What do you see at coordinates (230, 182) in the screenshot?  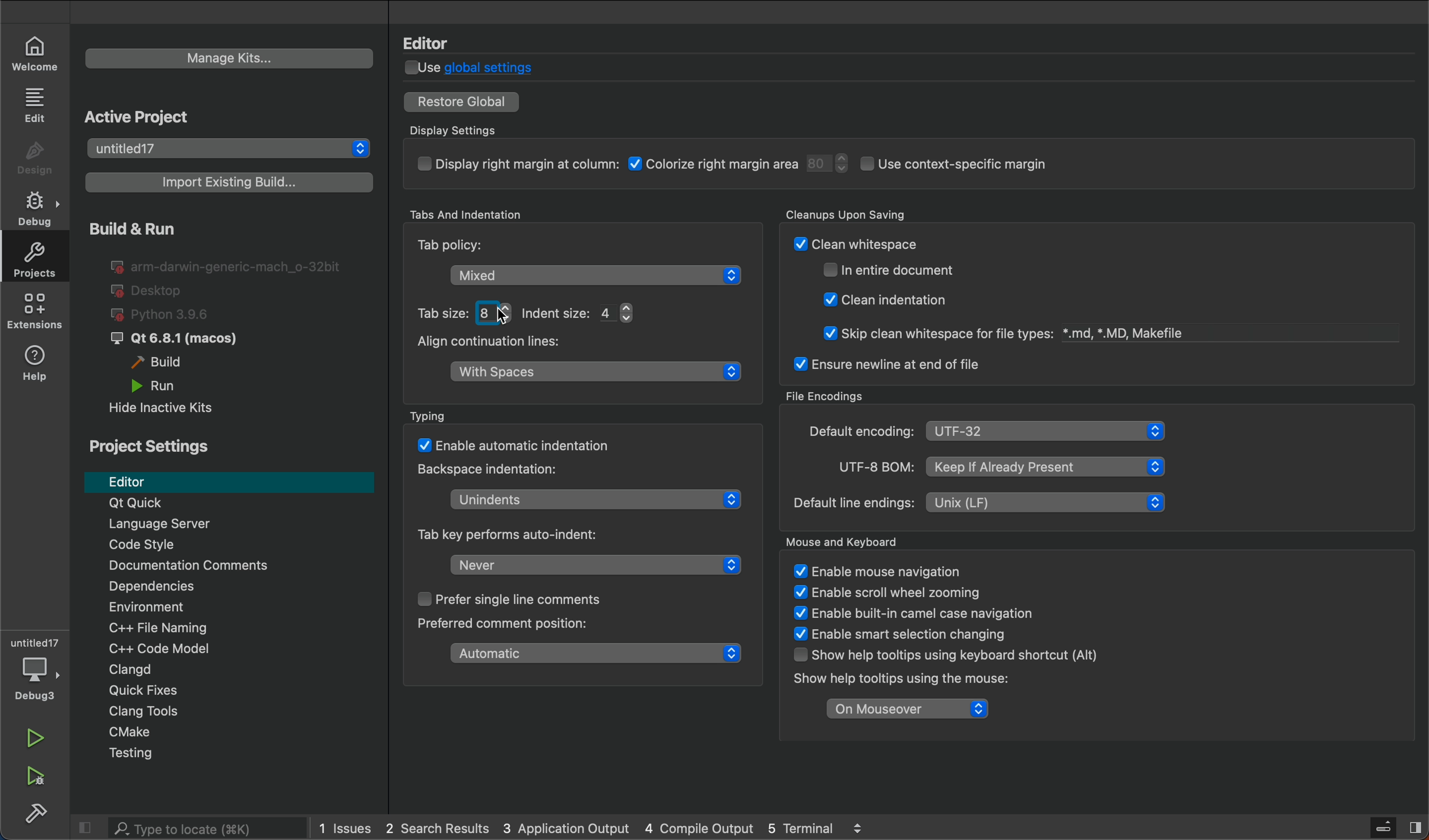 I see `import build` at bounding box center [230, 182].